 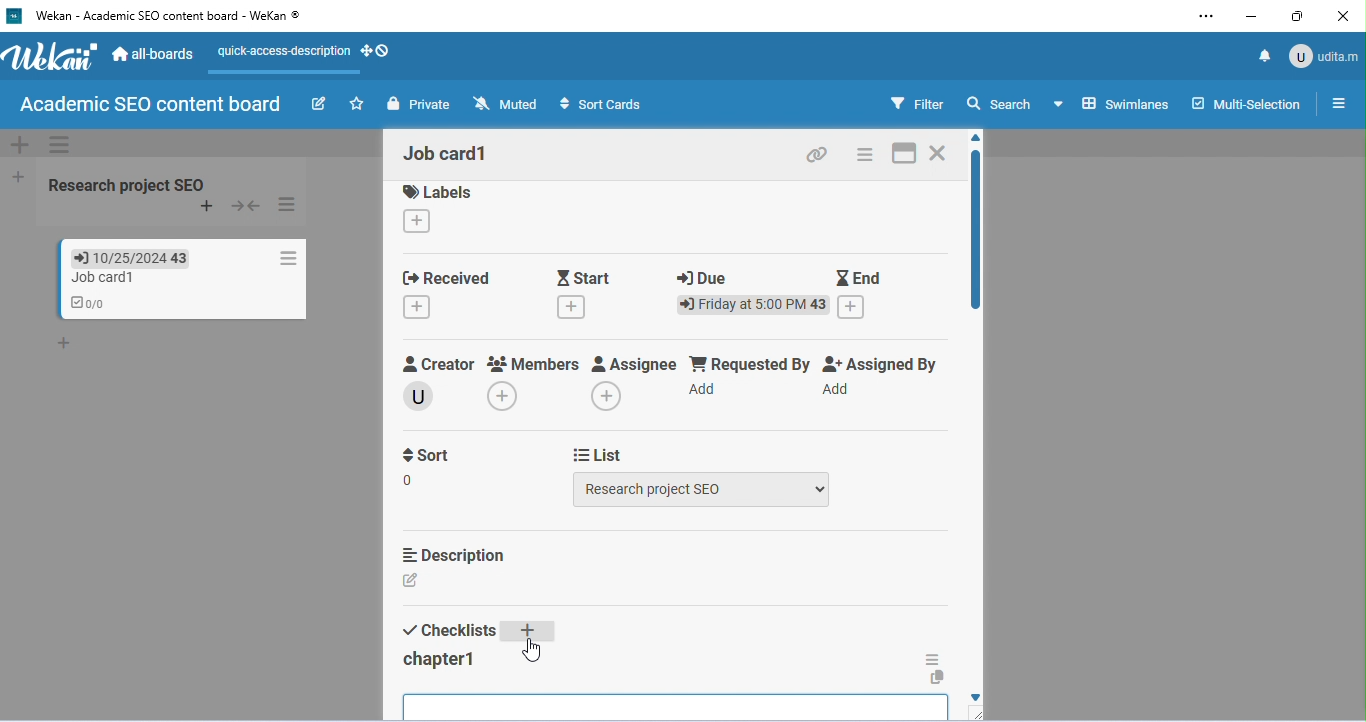 I want to click on due date and time, so click(x=752, y=307).